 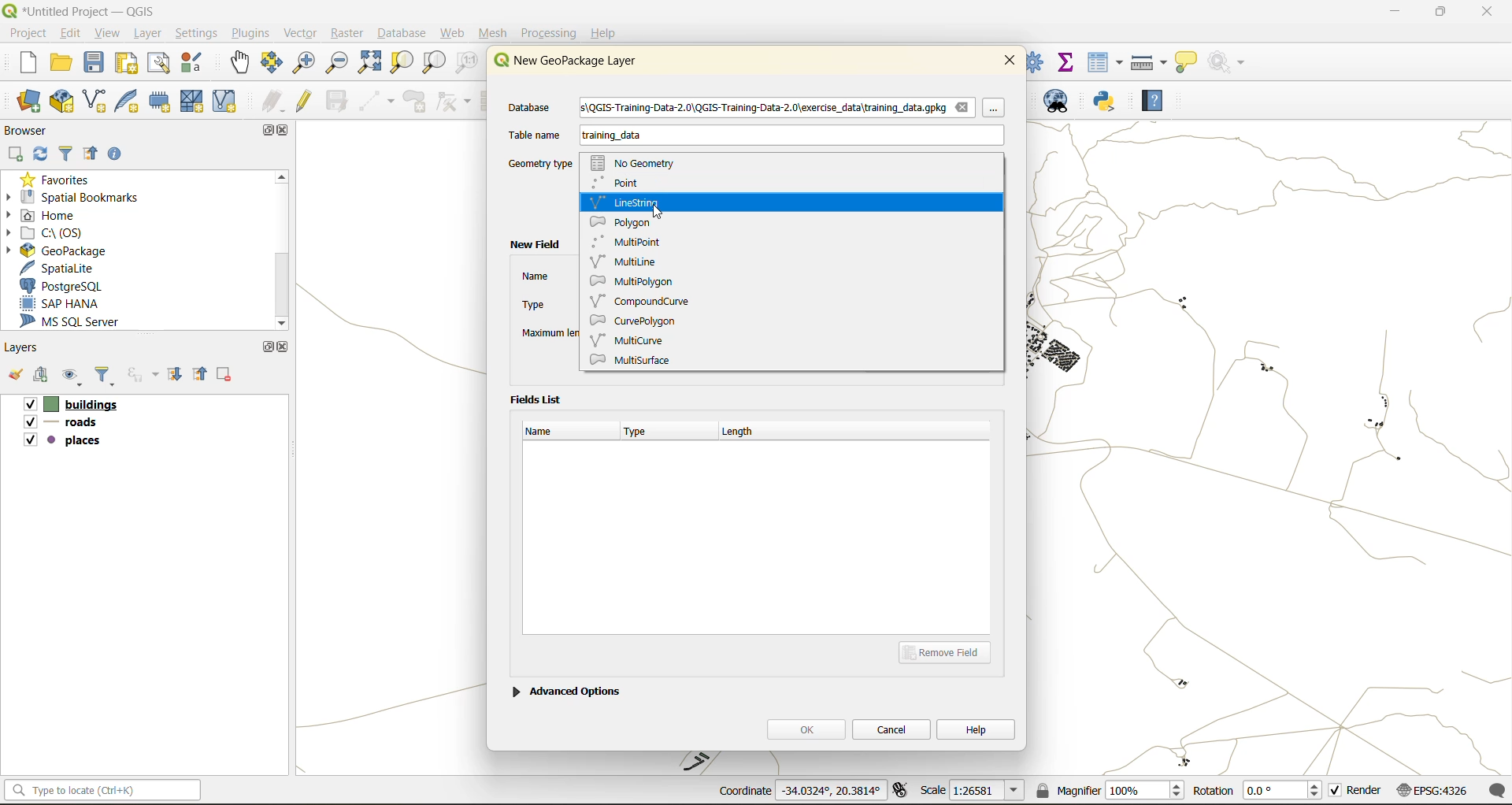 I want to click on Pointer, so click(x=665, y=213).